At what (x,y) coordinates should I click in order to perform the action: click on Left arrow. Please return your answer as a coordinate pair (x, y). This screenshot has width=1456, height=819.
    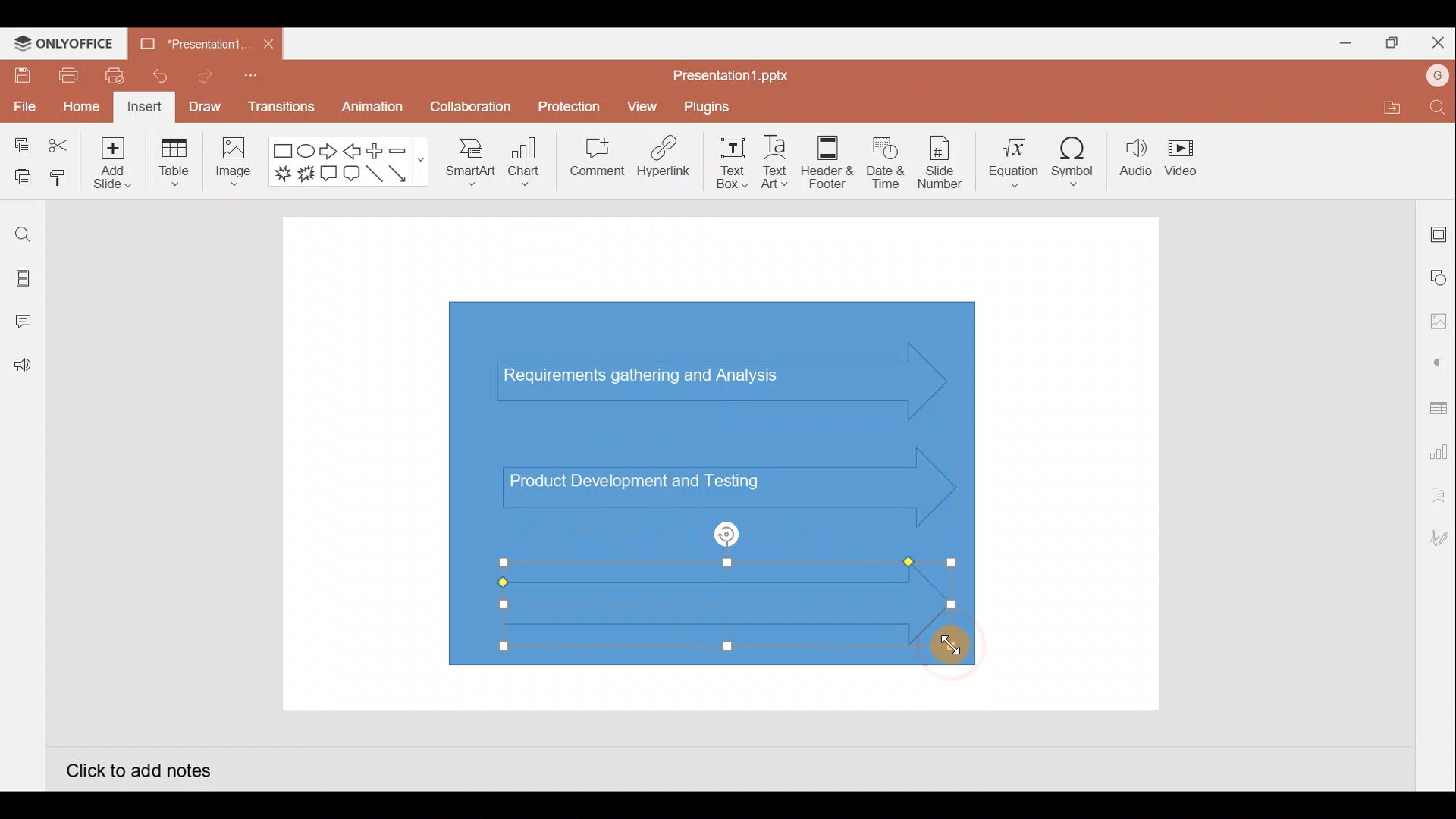
    Looking at the image, I should click on (353, 151).